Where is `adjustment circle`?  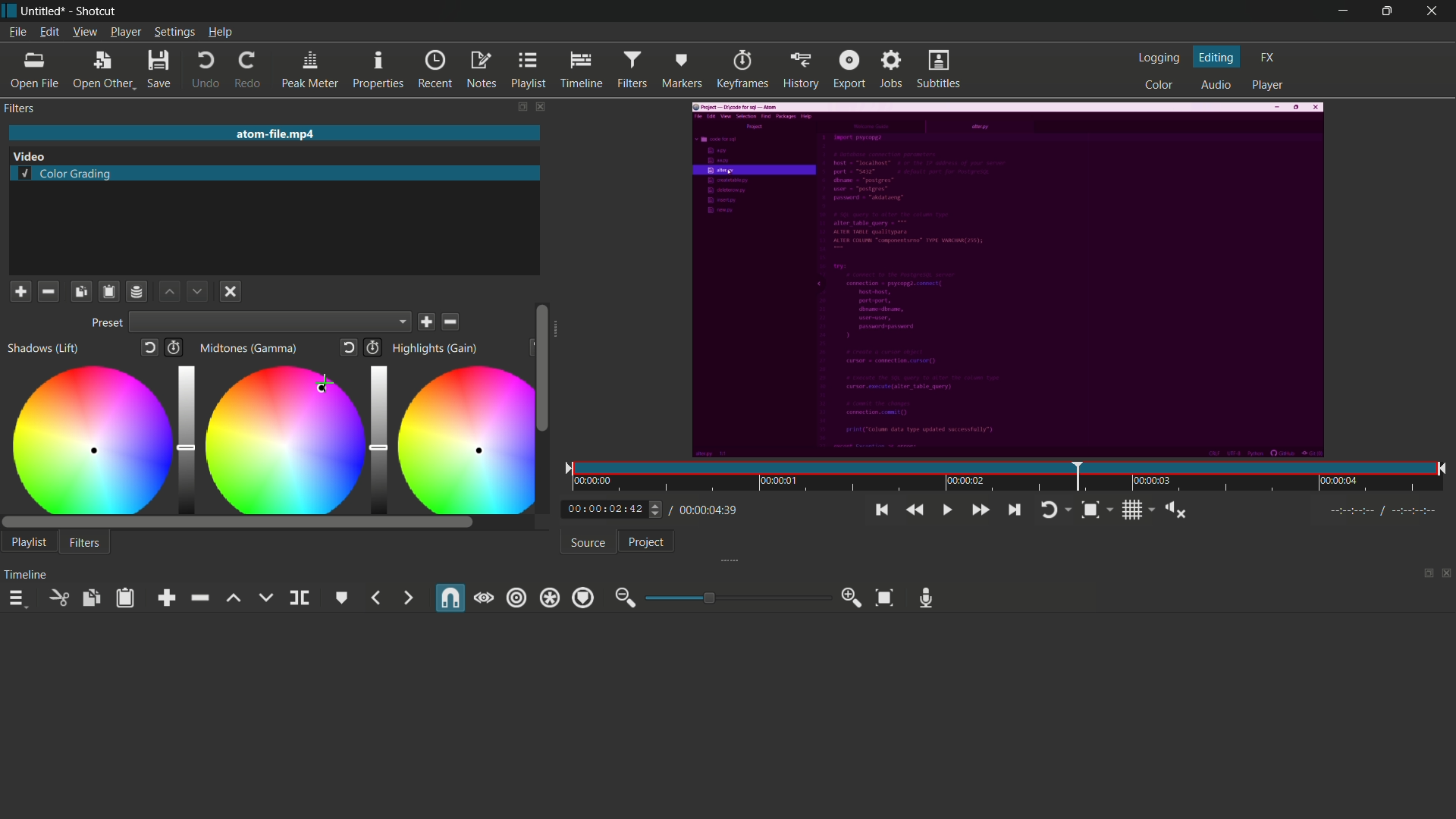
adjustment circle is located at coordinates (284, 439).